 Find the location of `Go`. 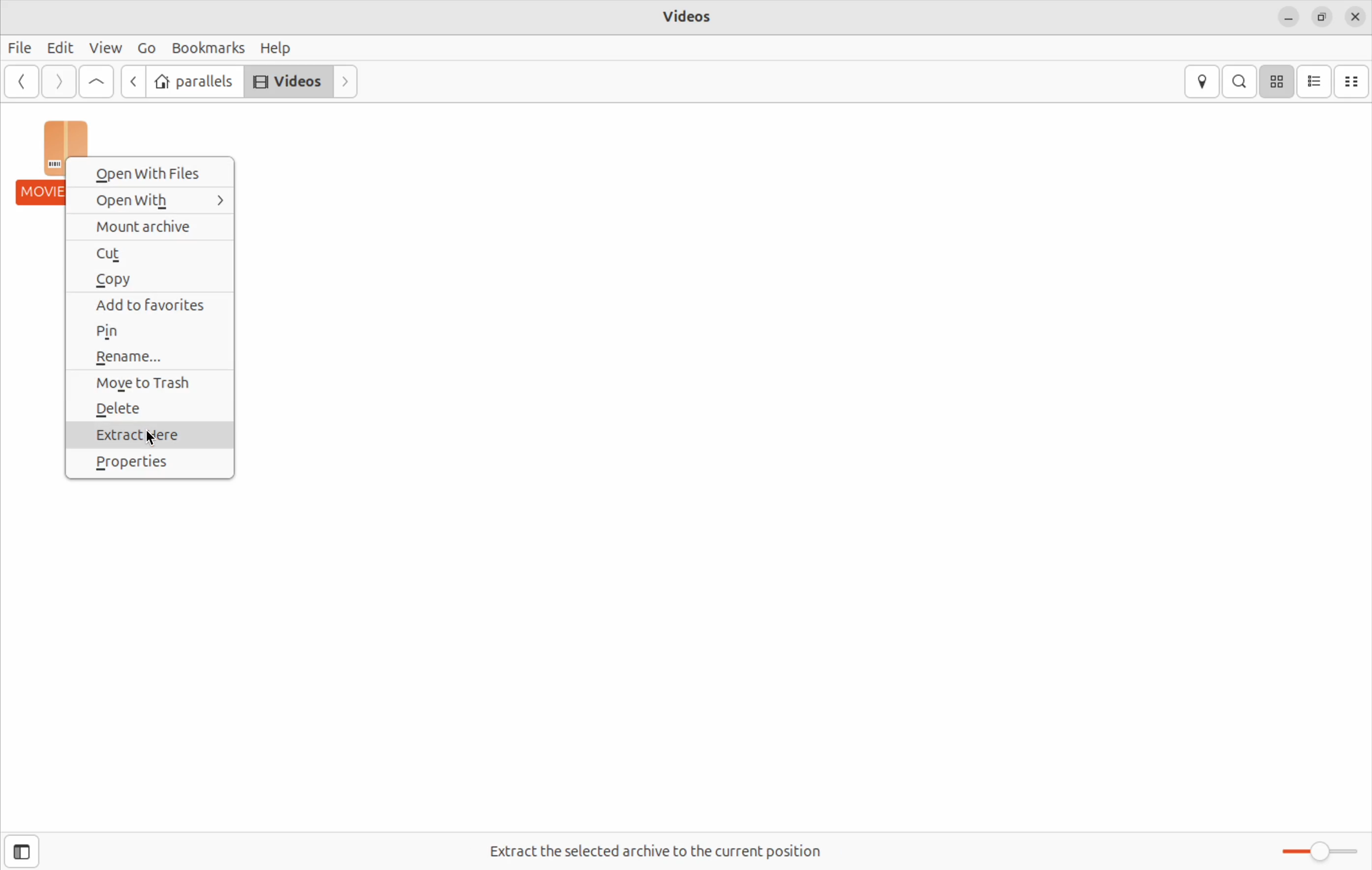

Go is located at coordinates (144, 48).